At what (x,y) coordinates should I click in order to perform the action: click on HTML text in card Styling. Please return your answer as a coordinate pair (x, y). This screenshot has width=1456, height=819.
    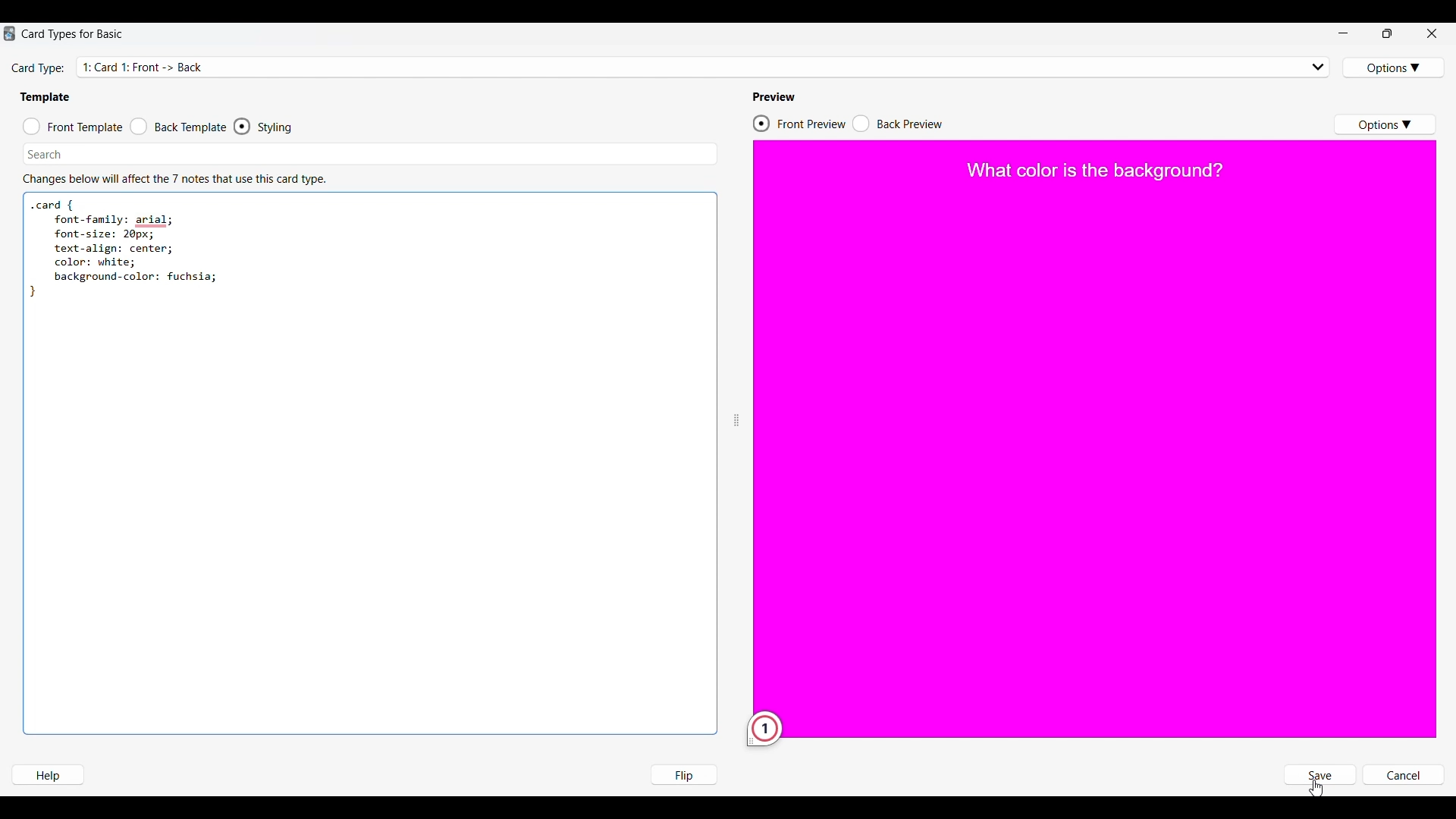
    Looking at the image, I should click on (124, 246).